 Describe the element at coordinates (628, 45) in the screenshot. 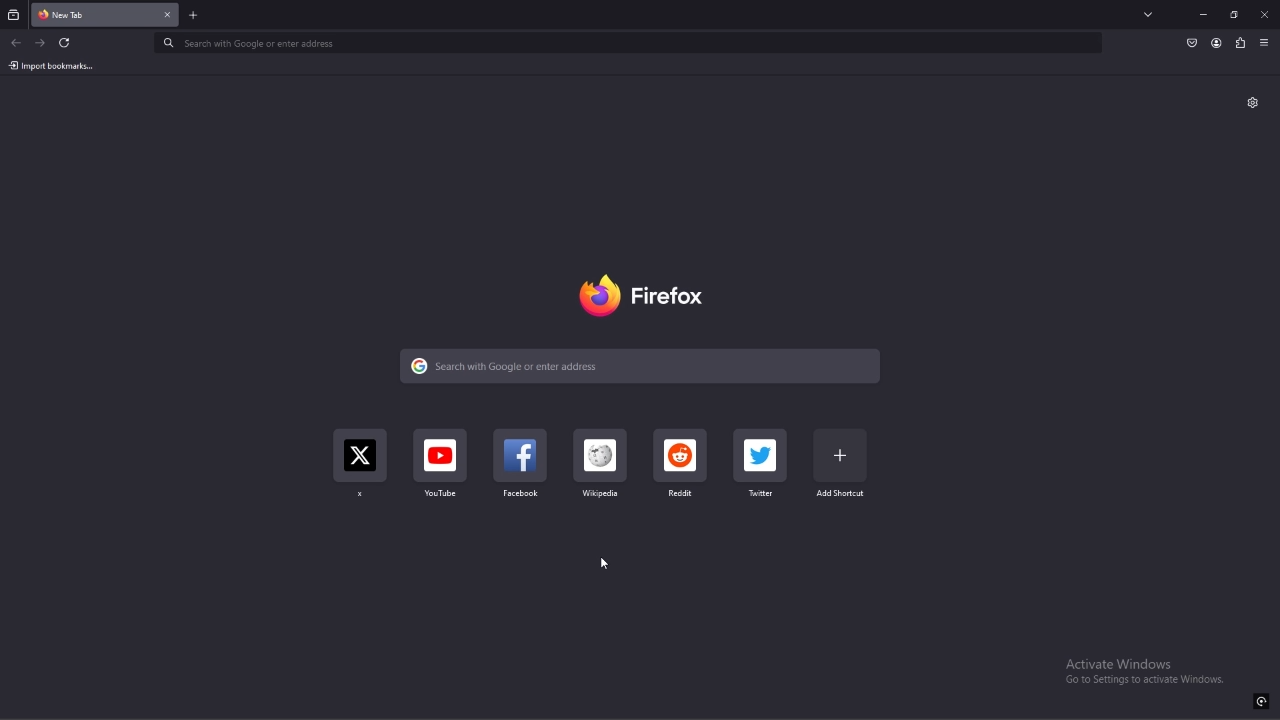

I see `search bar` at that location.